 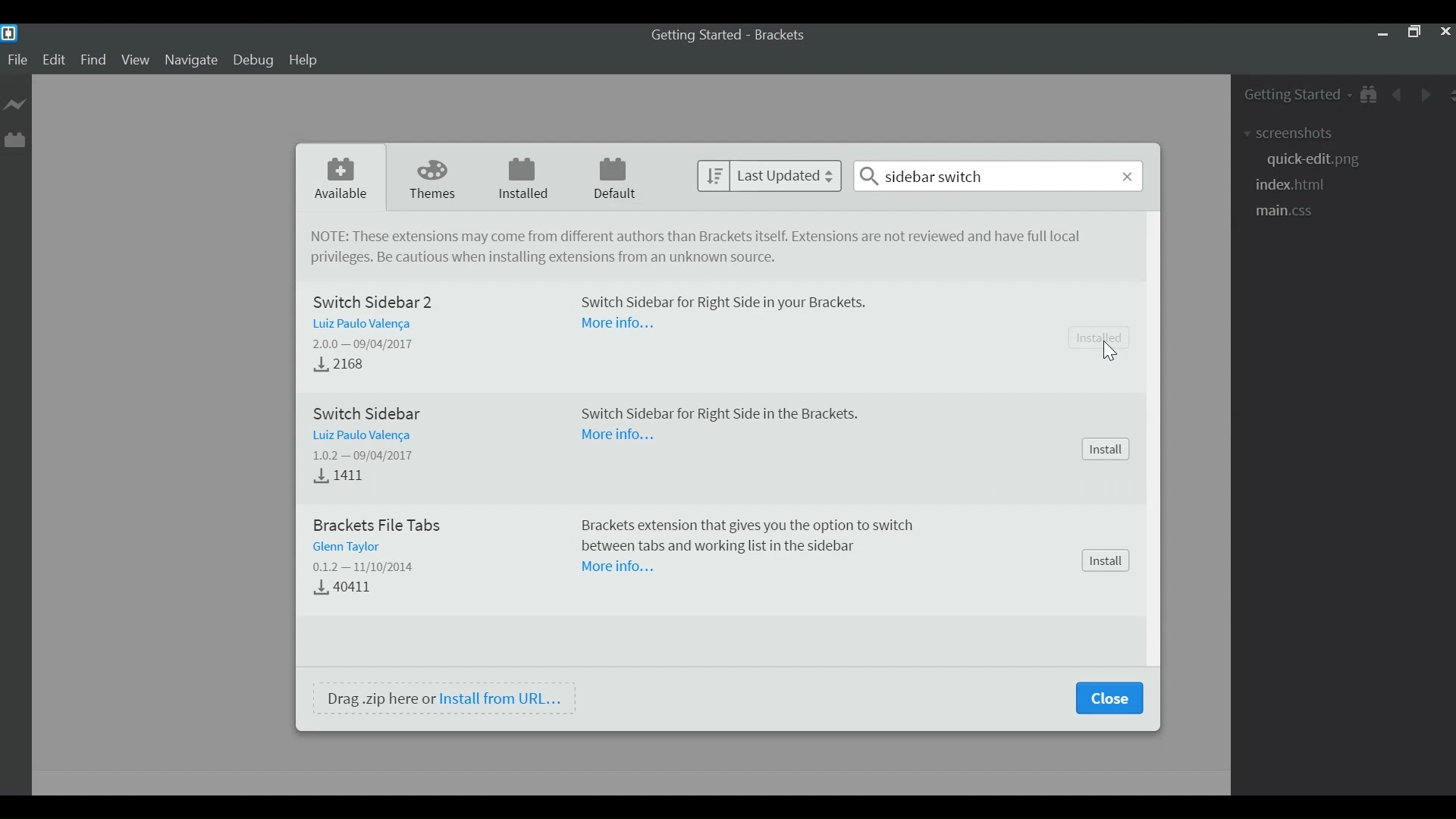 I want to click on Restore, so click(x=1414, y=33).